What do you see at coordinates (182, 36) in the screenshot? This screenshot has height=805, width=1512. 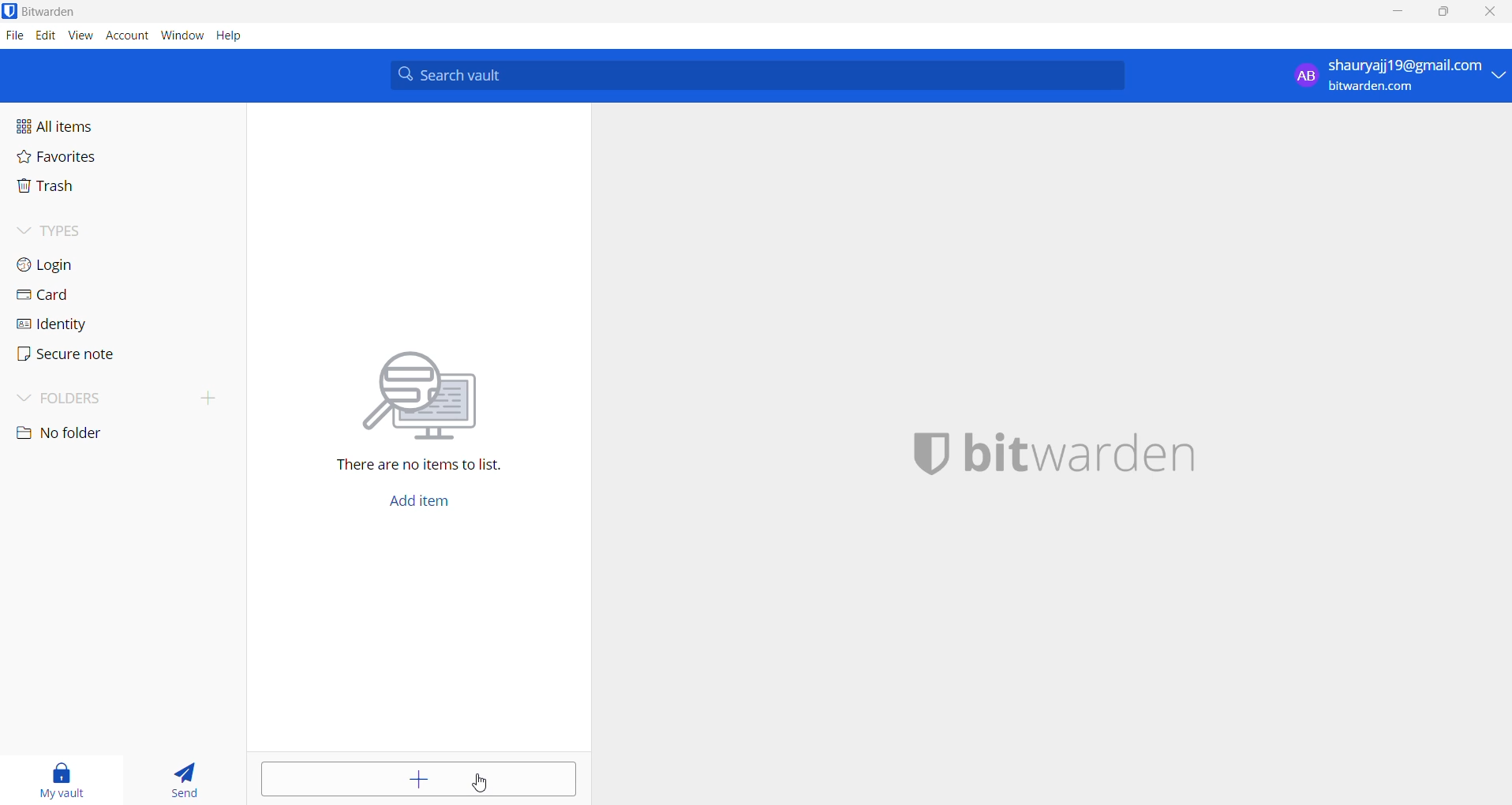 I see `window` at bounding box center [182, 36].